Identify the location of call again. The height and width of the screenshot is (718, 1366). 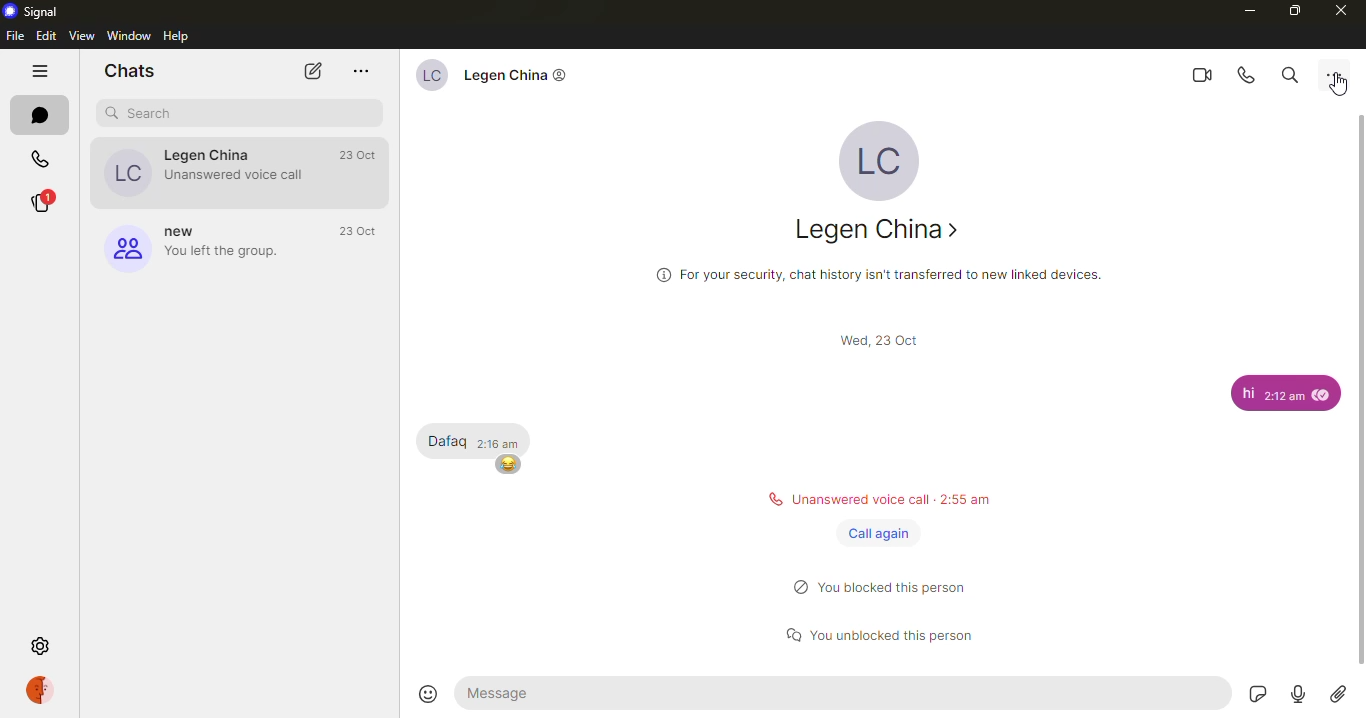
(877, 533).